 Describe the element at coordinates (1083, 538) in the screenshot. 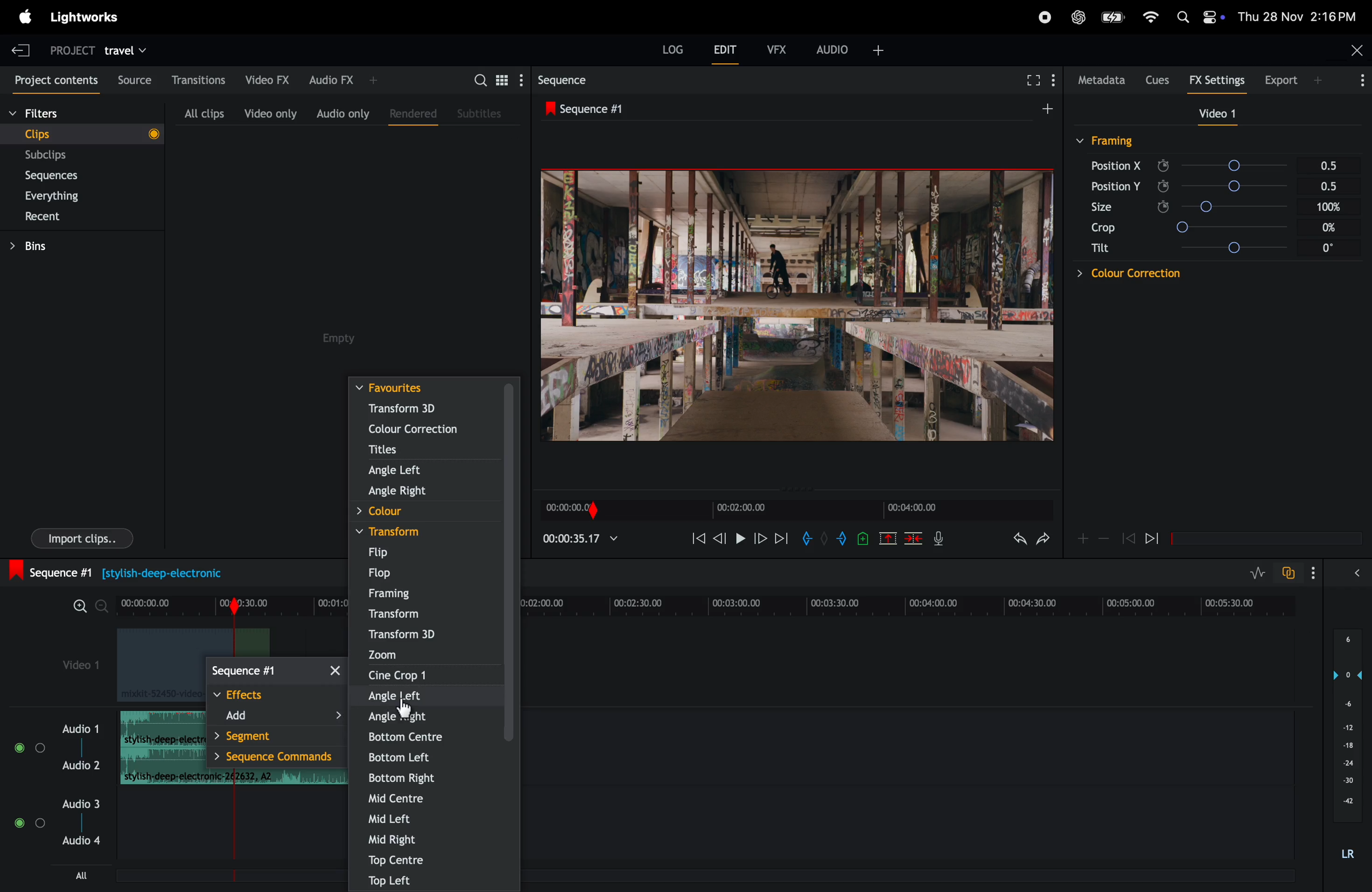

I see `add key frame` at that location.